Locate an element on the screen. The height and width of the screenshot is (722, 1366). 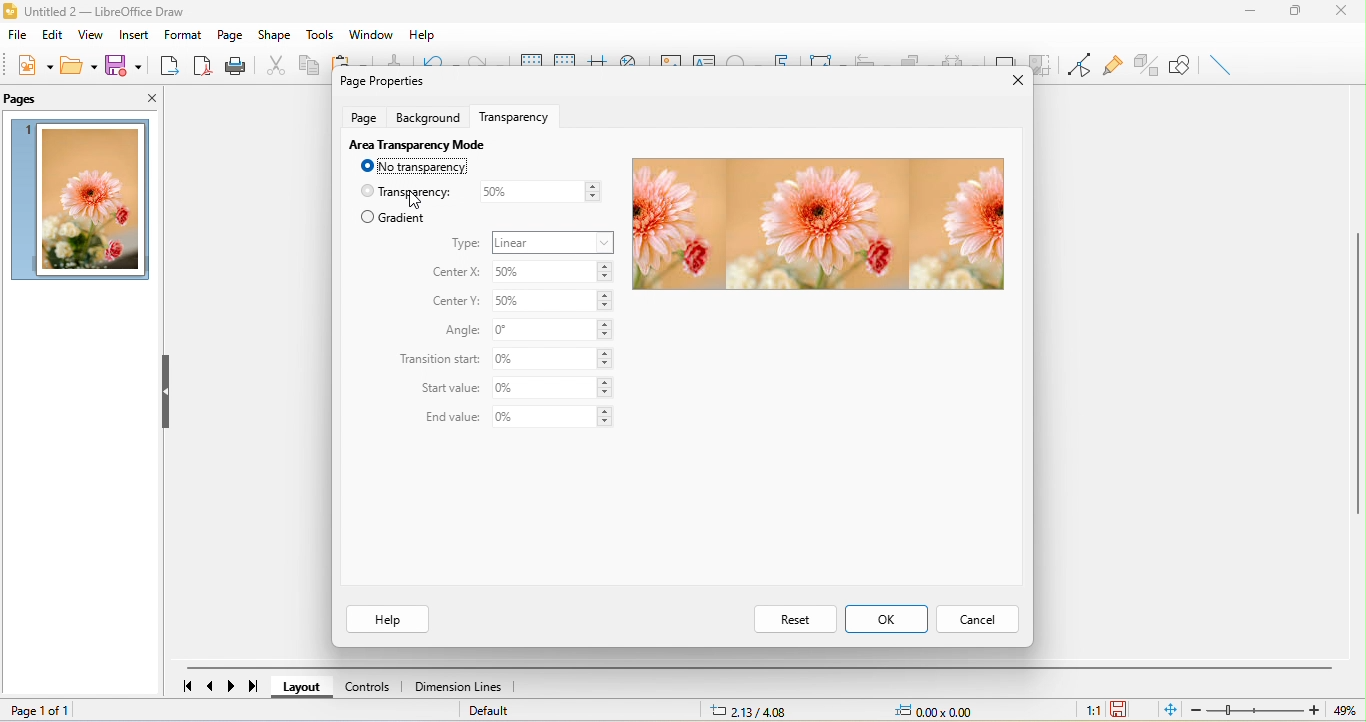
shape is located at coordinates (274, 36).